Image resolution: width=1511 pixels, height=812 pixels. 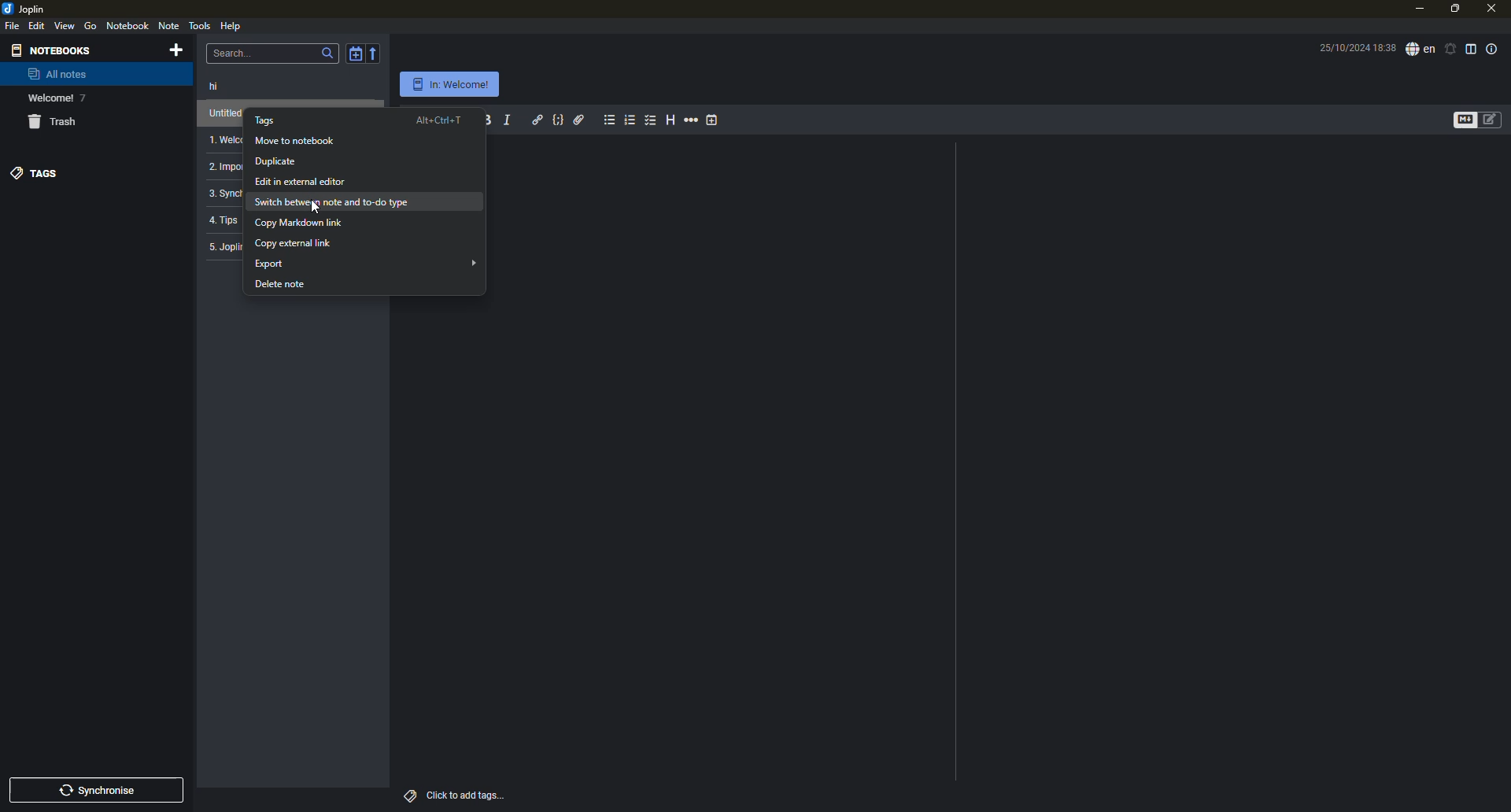 I want to click on help, so click(x=233, y=27).